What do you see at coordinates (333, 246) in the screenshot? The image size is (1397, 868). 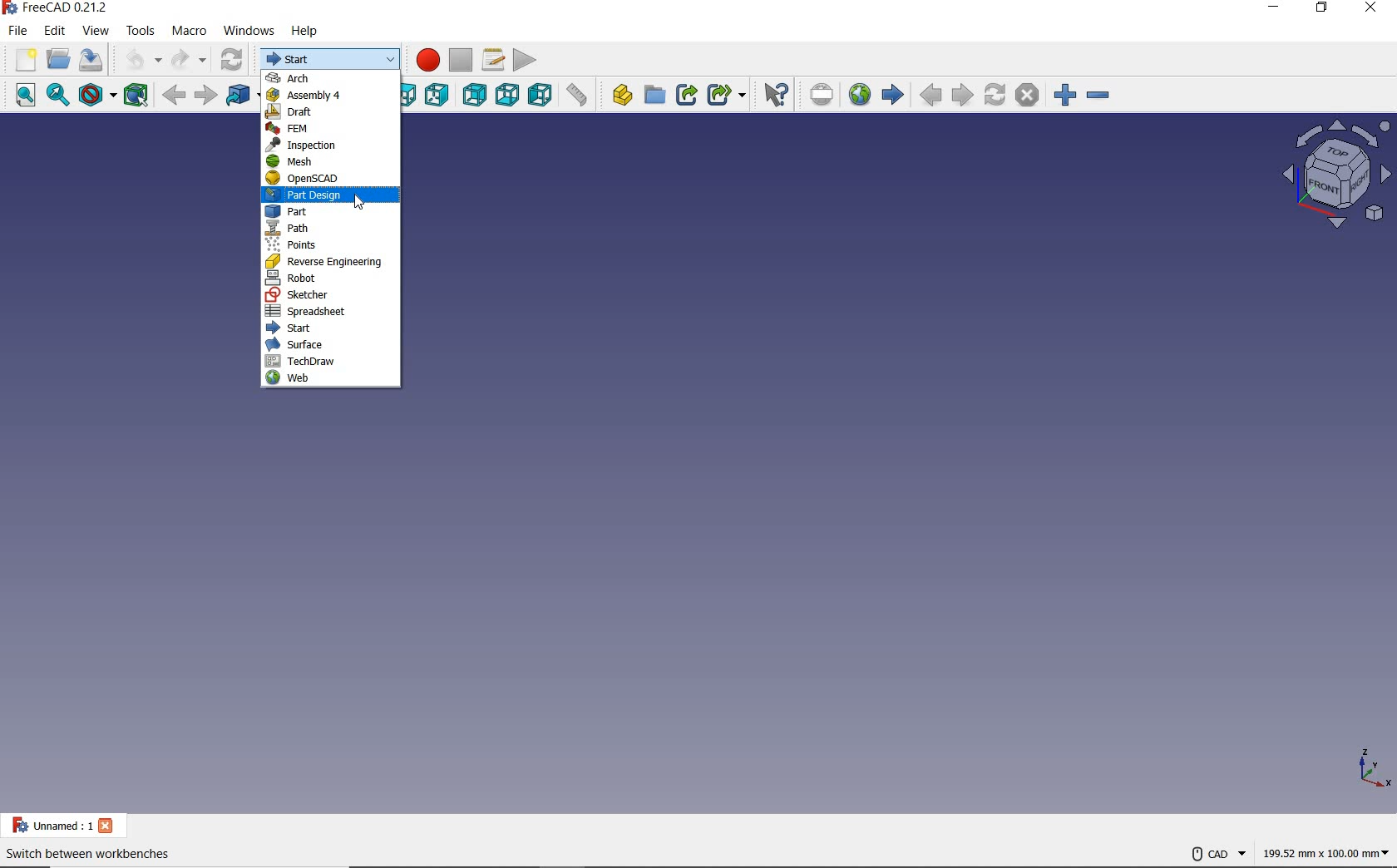 I see `POINTS` at bounding box center [333, 246].